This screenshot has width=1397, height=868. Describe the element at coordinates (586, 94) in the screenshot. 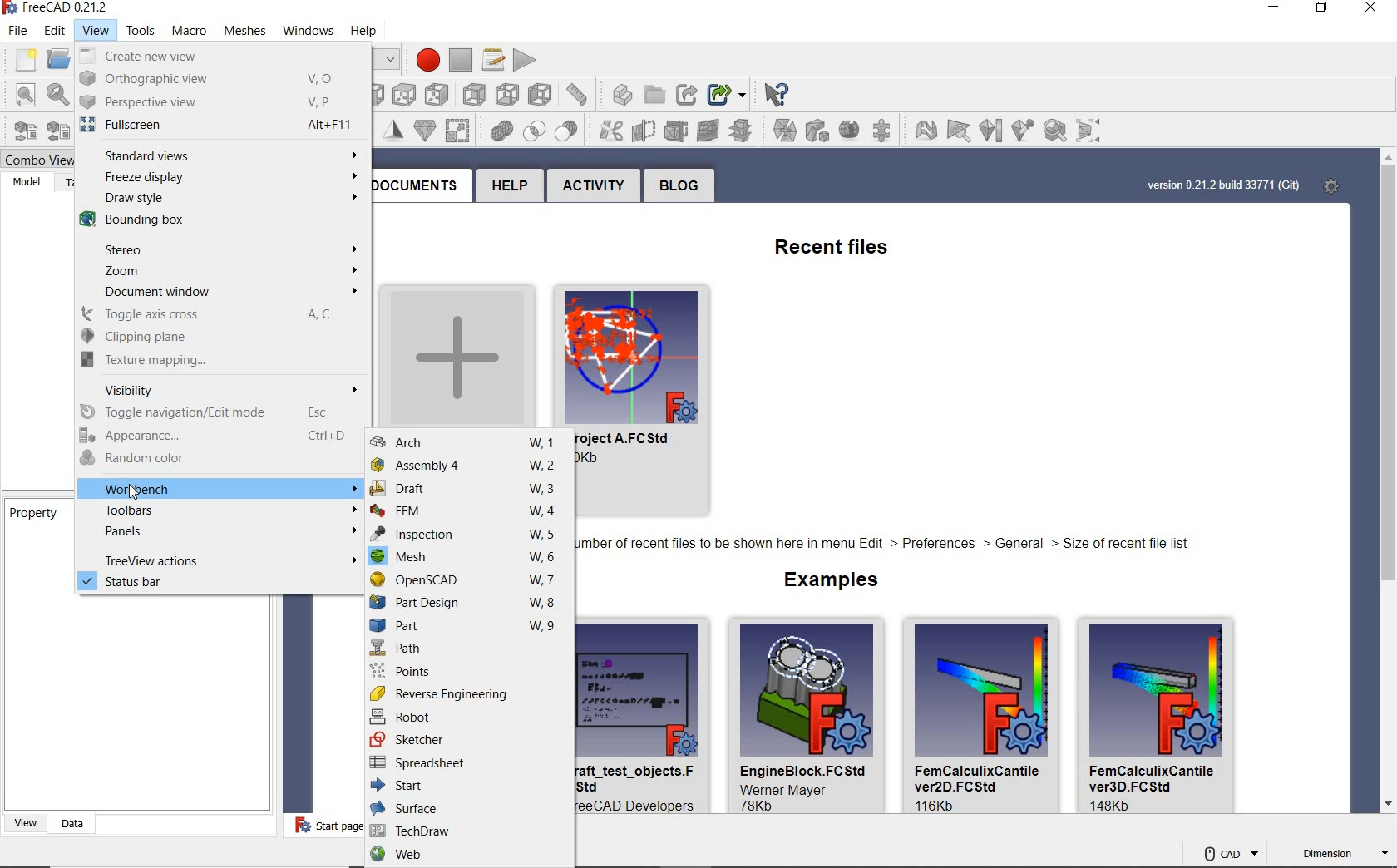

I see `create part` at that location.